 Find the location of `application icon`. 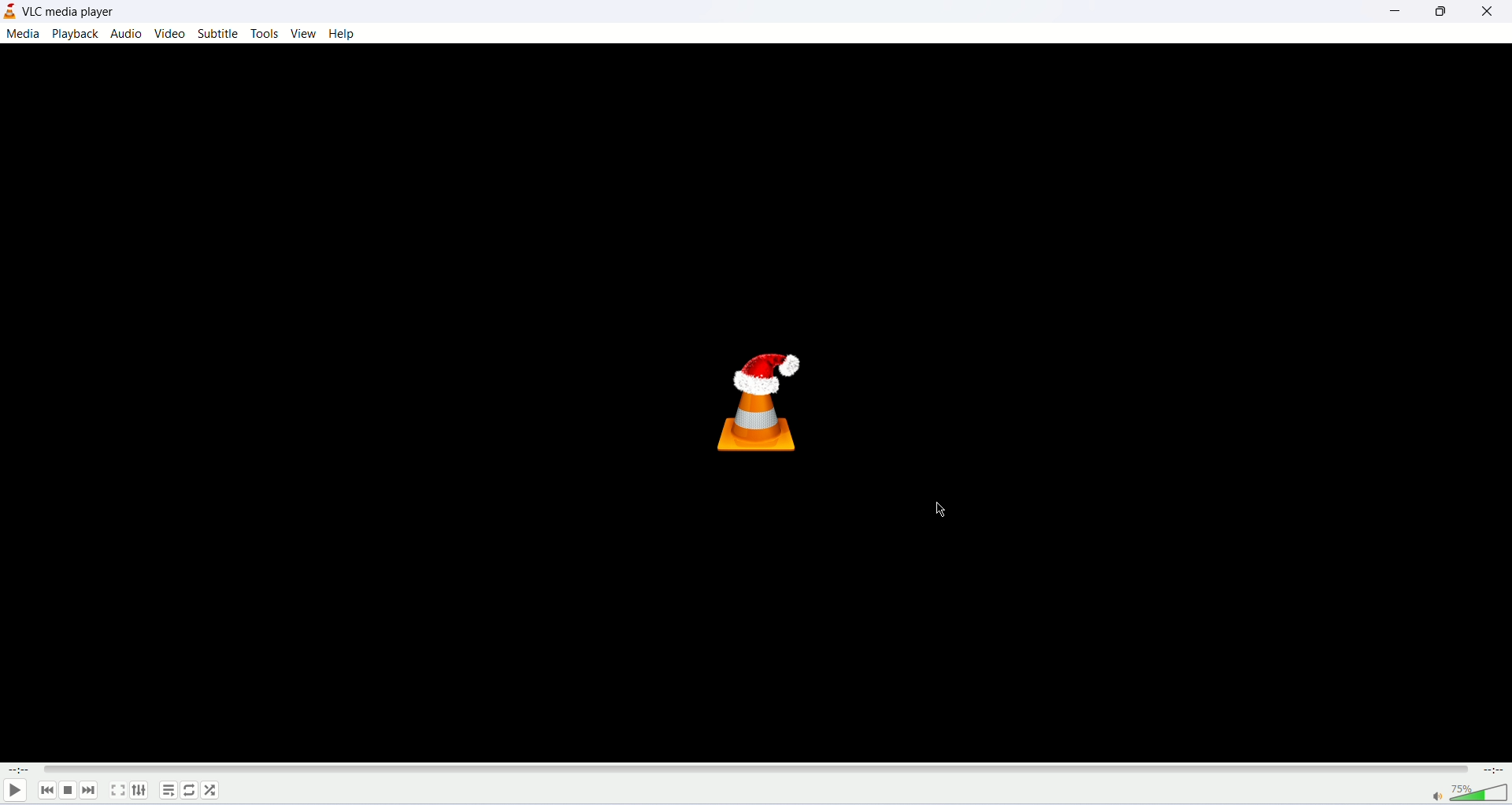

application icon is located at coordinates (9, 12).